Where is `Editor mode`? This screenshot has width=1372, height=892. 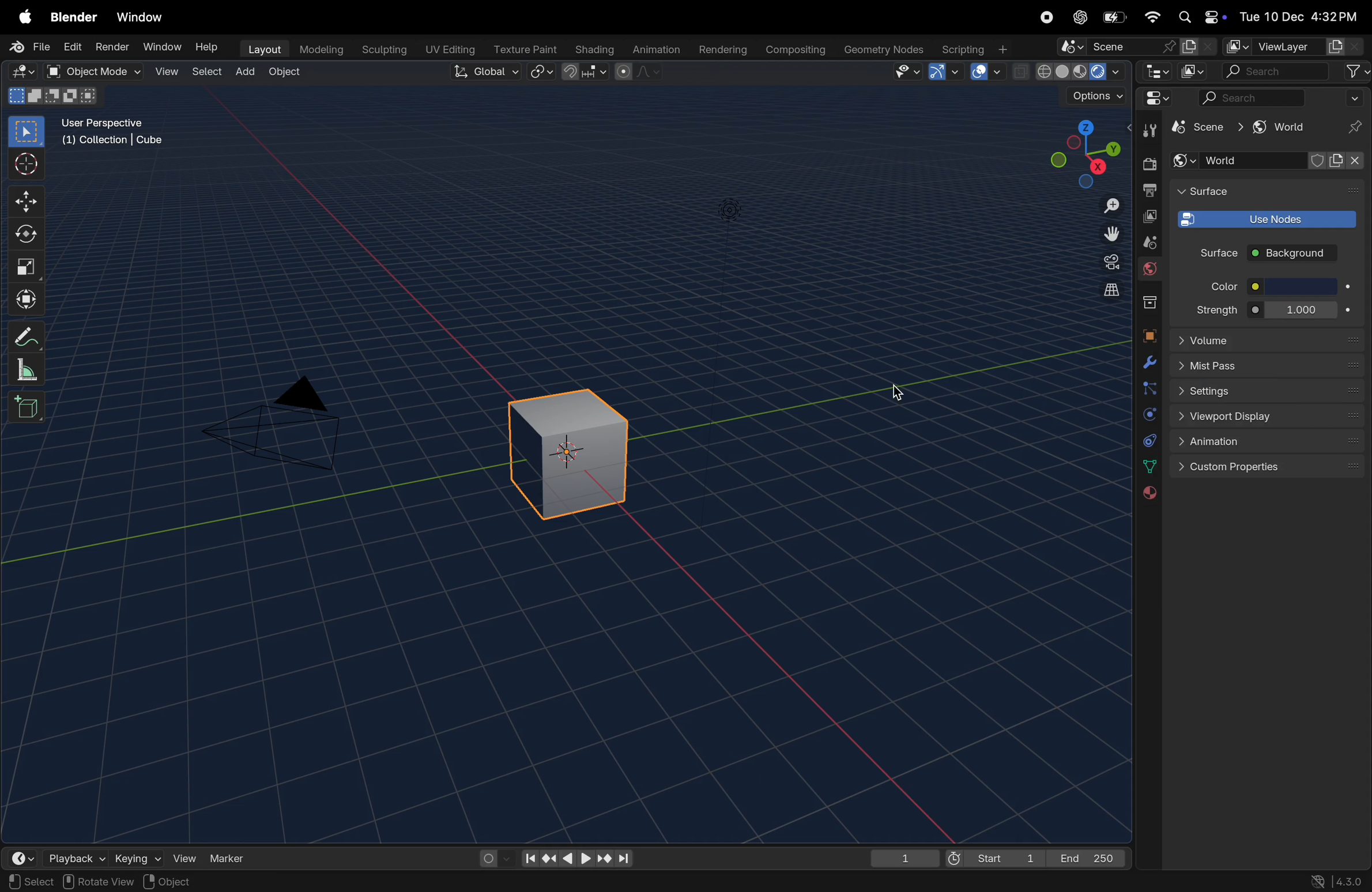 Editor mode is located at coordinates (1155, 98).